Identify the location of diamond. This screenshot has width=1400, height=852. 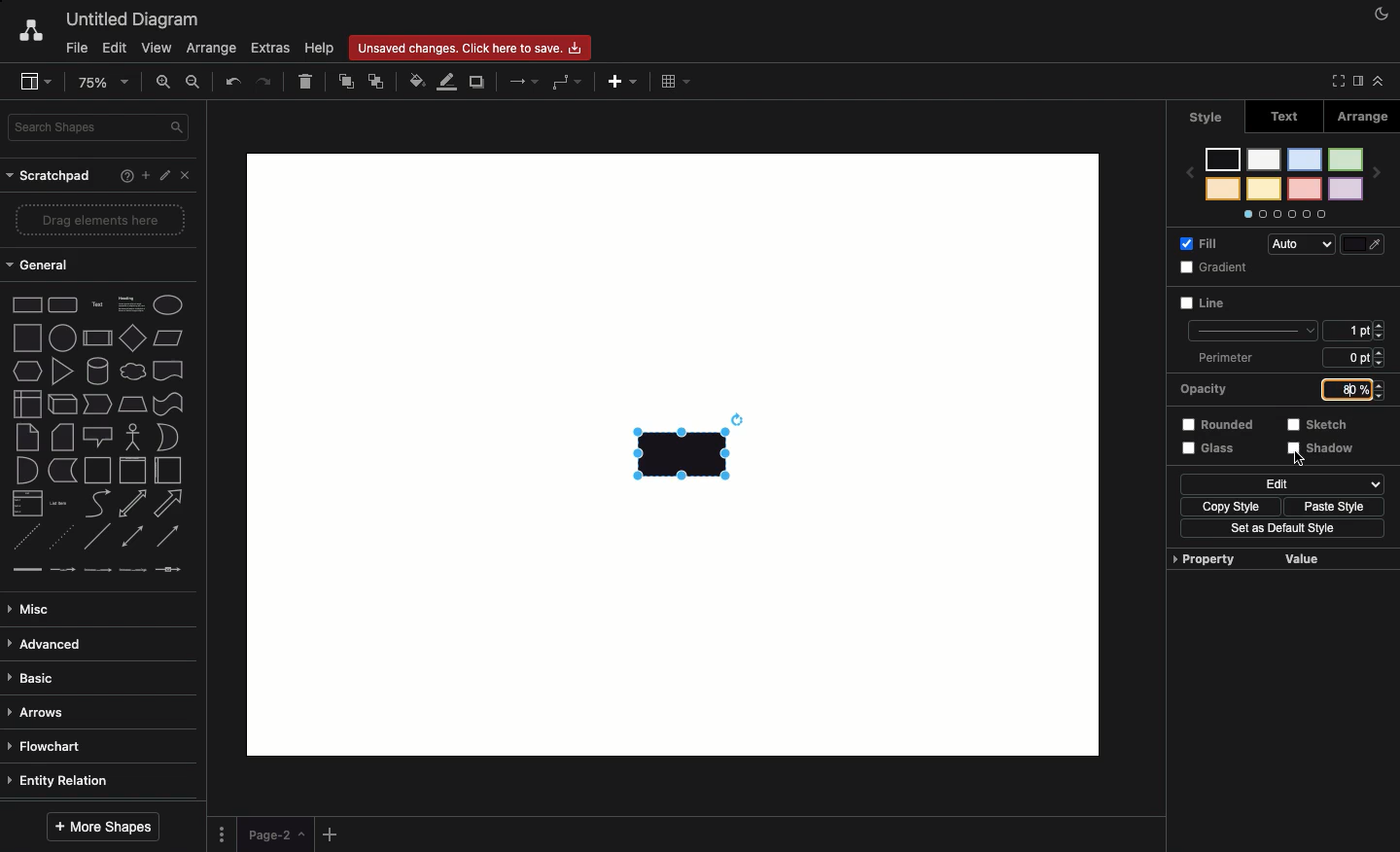
(131, 339).